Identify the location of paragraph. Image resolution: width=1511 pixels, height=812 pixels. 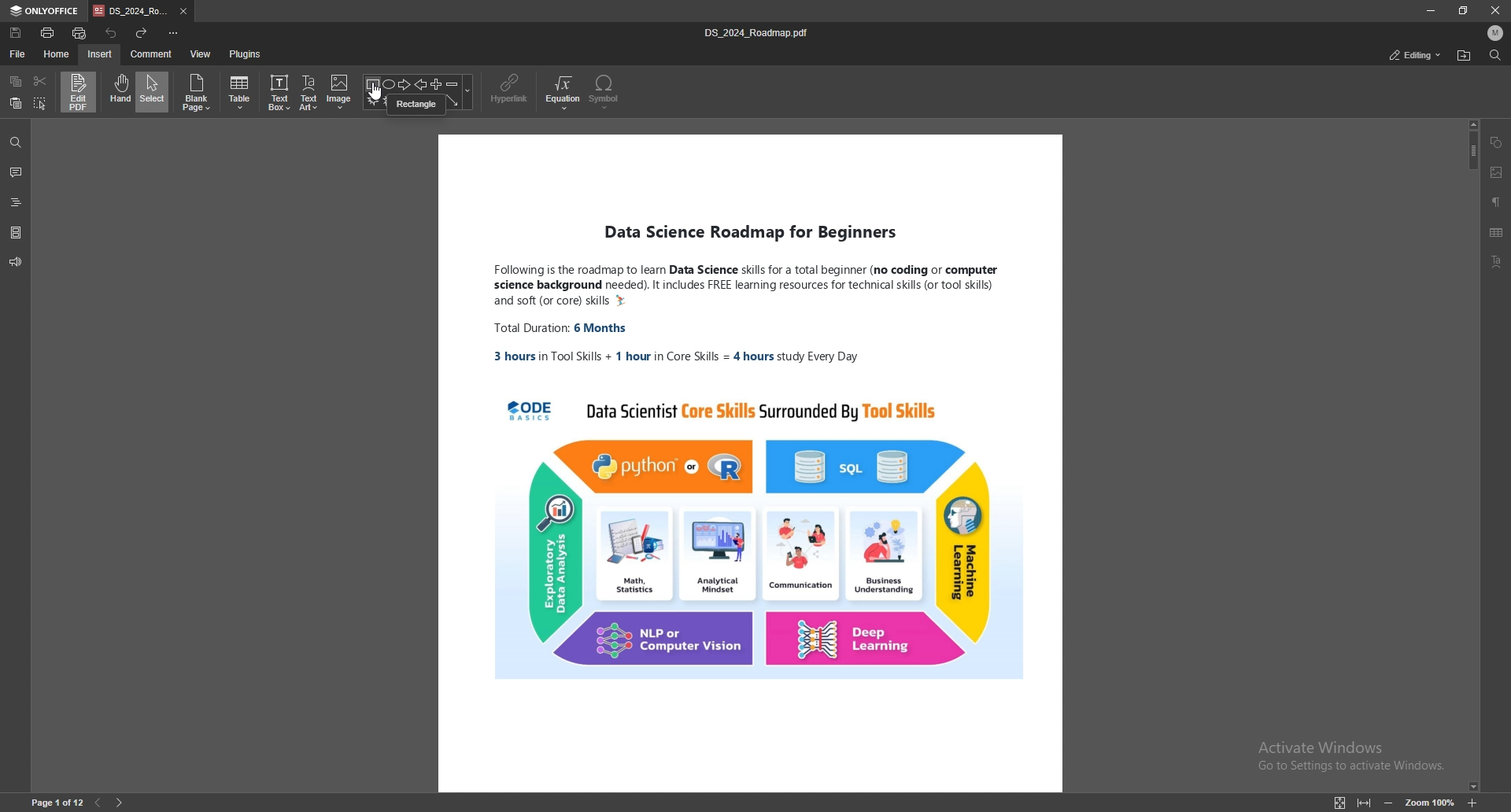
(1497, 201).